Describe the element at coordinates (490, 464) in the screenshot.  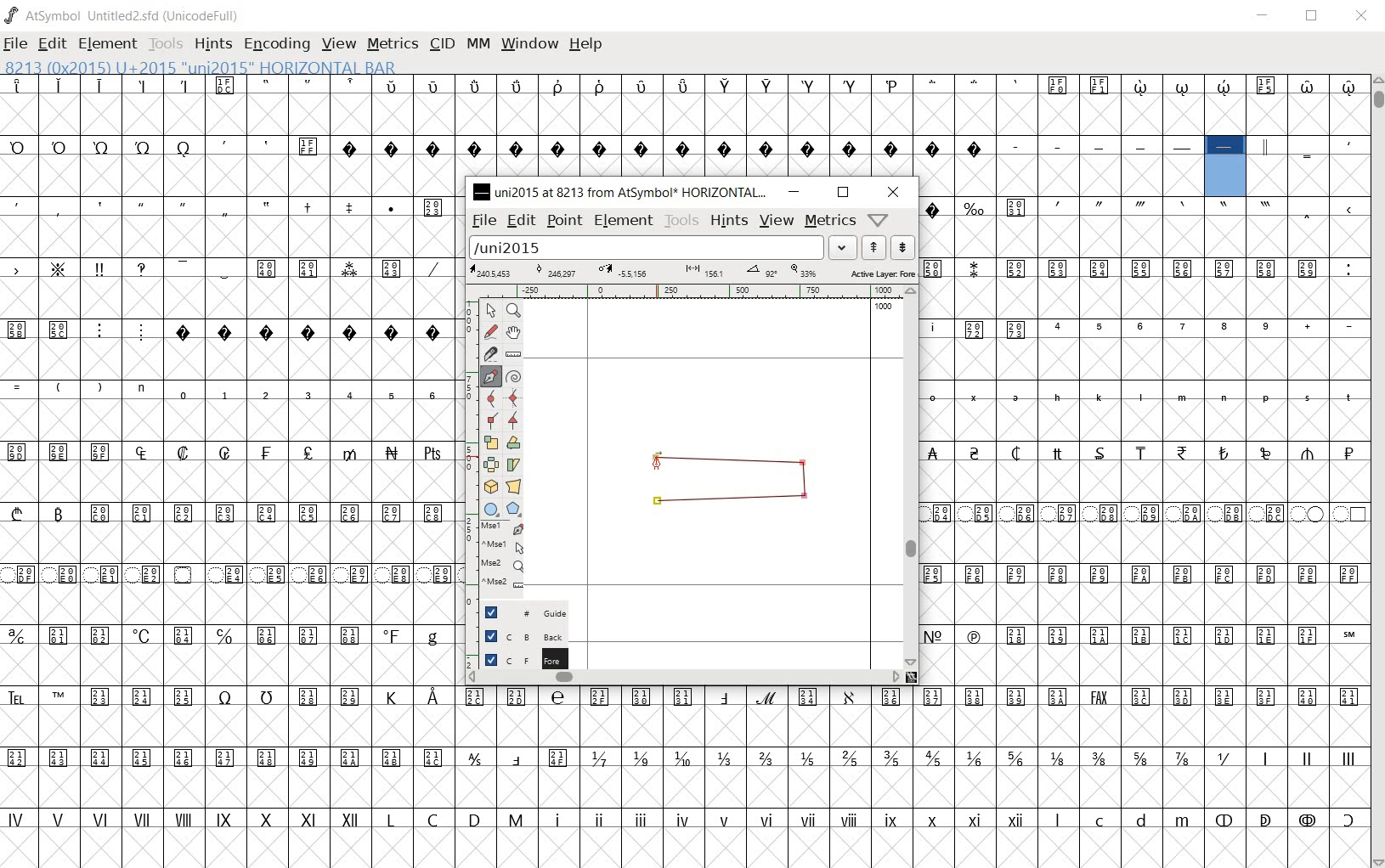
I see `flip the selection` at that location.